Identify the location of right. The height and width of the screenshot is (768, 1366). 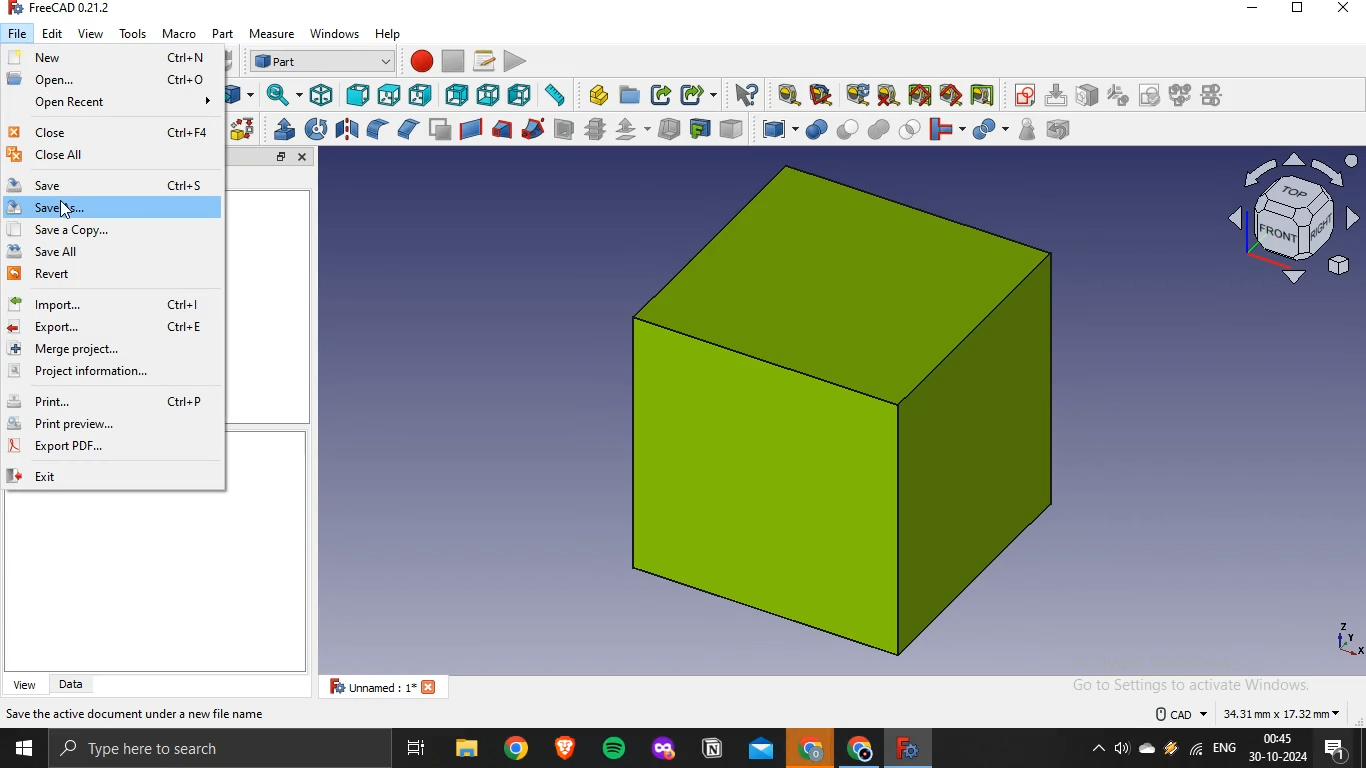
(421, 94).